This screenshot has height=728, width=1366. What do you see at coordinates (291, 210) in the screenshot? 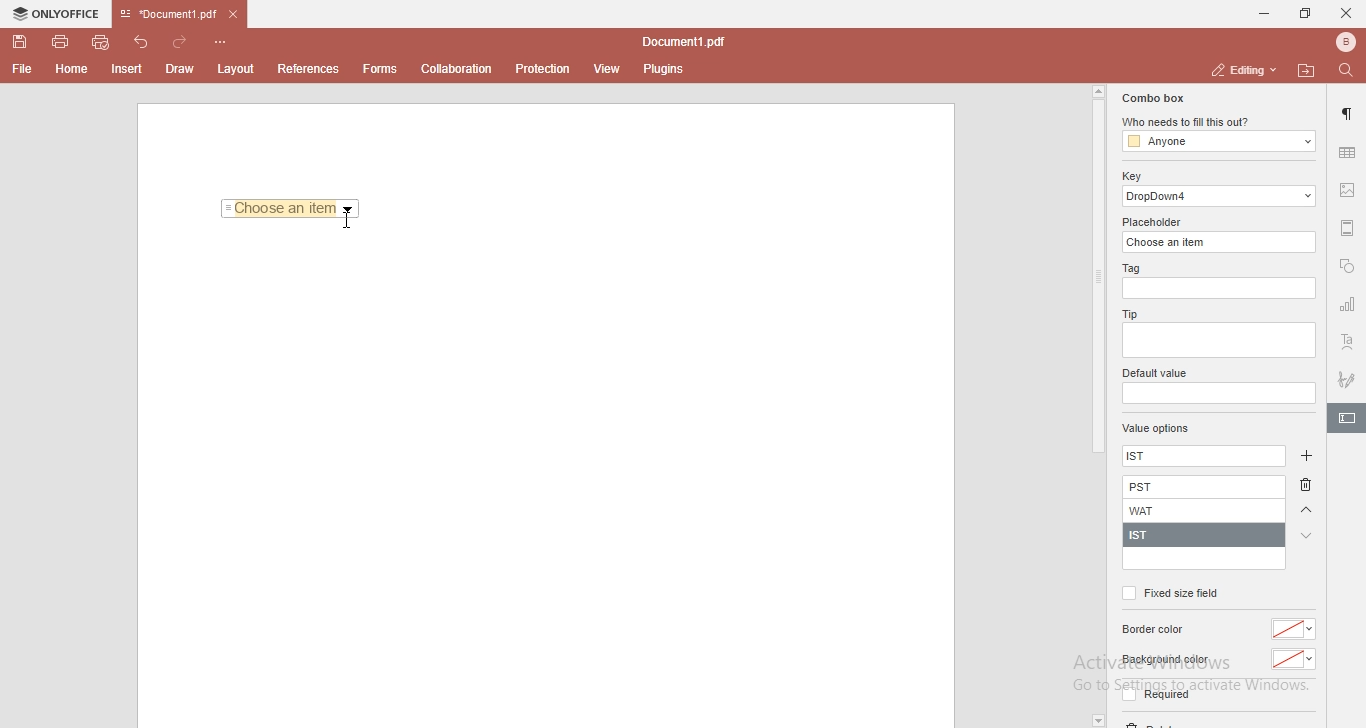
I see `Choose an item` at bounding box center [291, 210].